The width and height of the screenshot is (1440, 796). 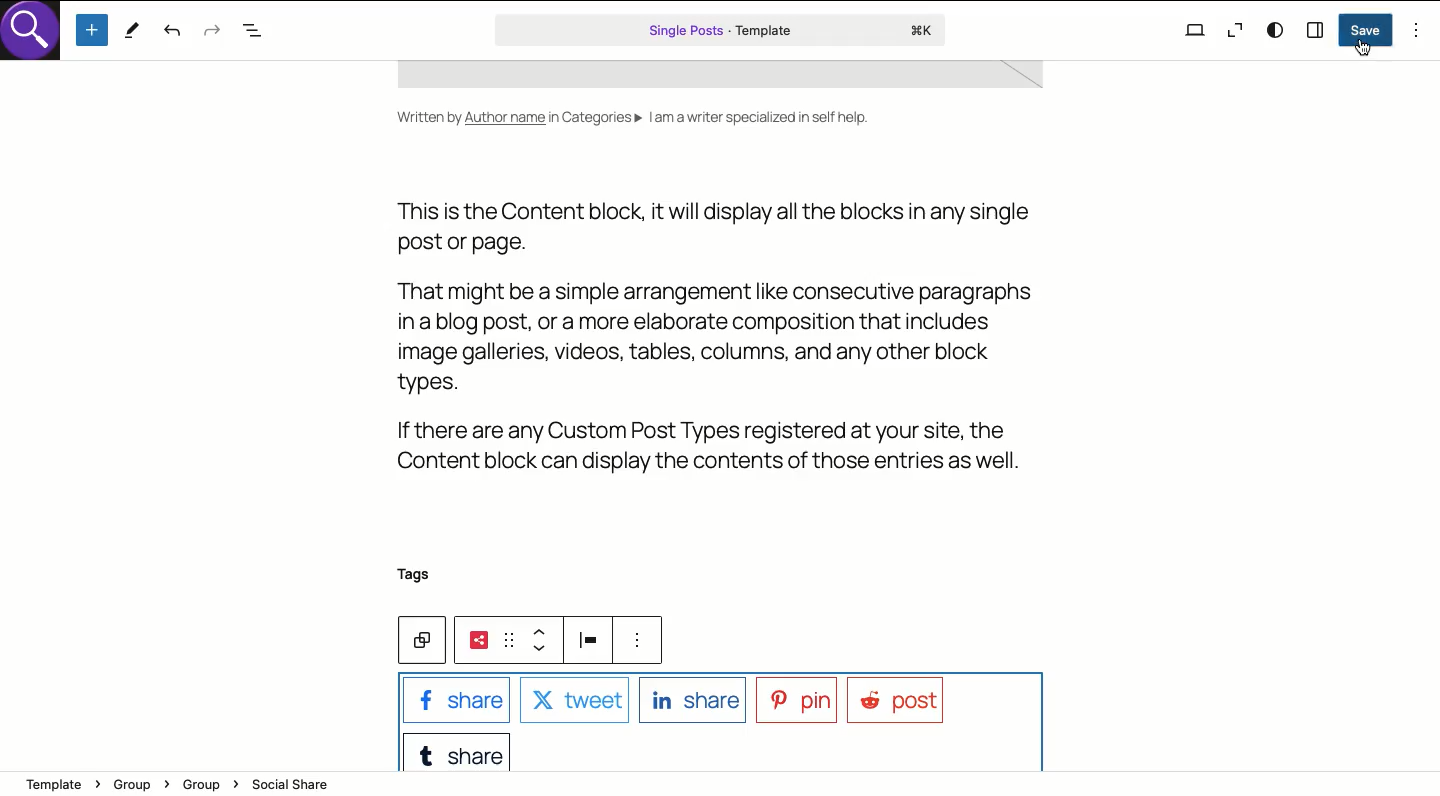 I want to click on Undo, so click(x=172, y=32).